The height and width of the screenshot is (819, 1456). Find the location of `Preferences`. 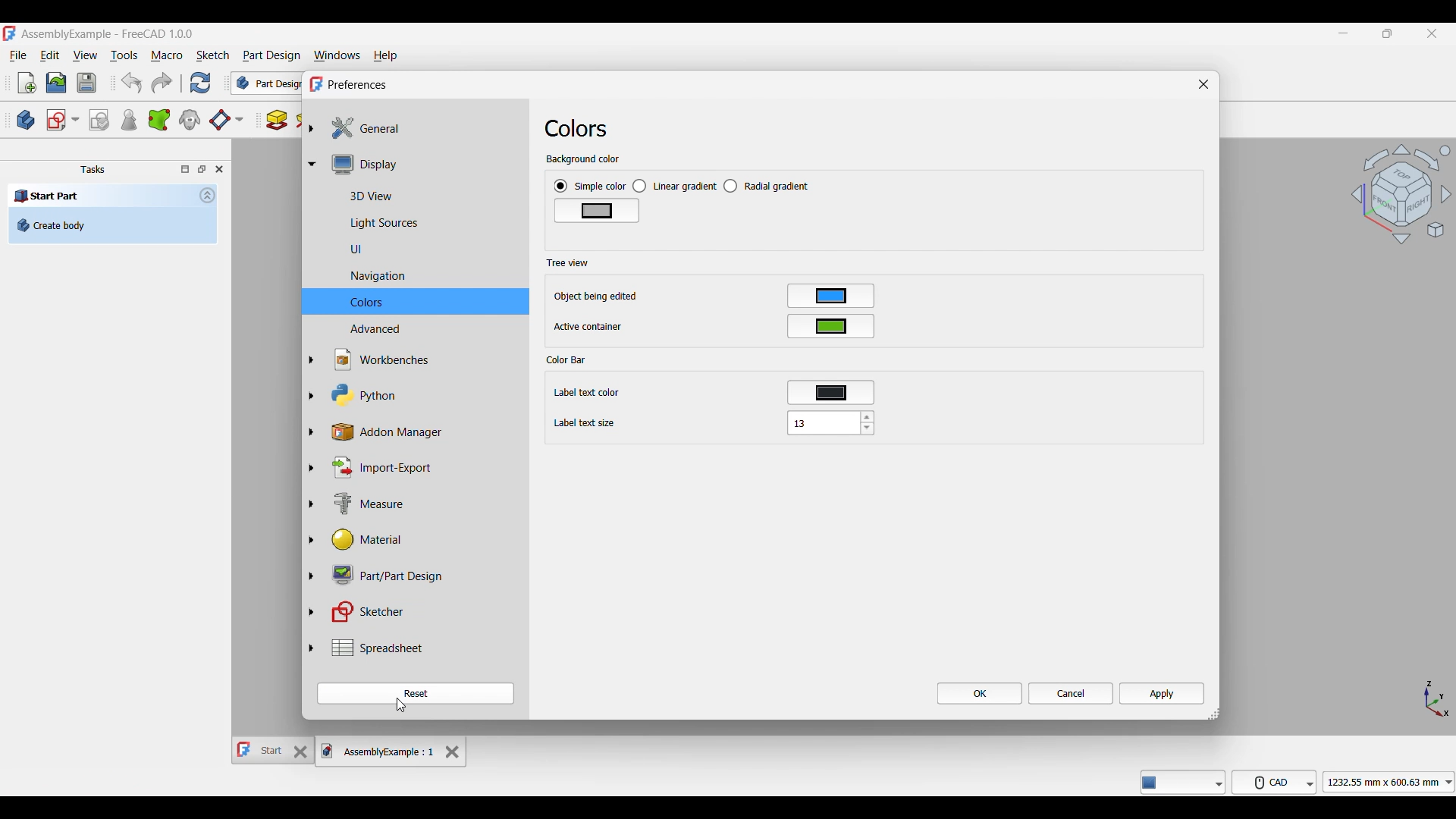

Preferences is located at coordinates (359, 85).